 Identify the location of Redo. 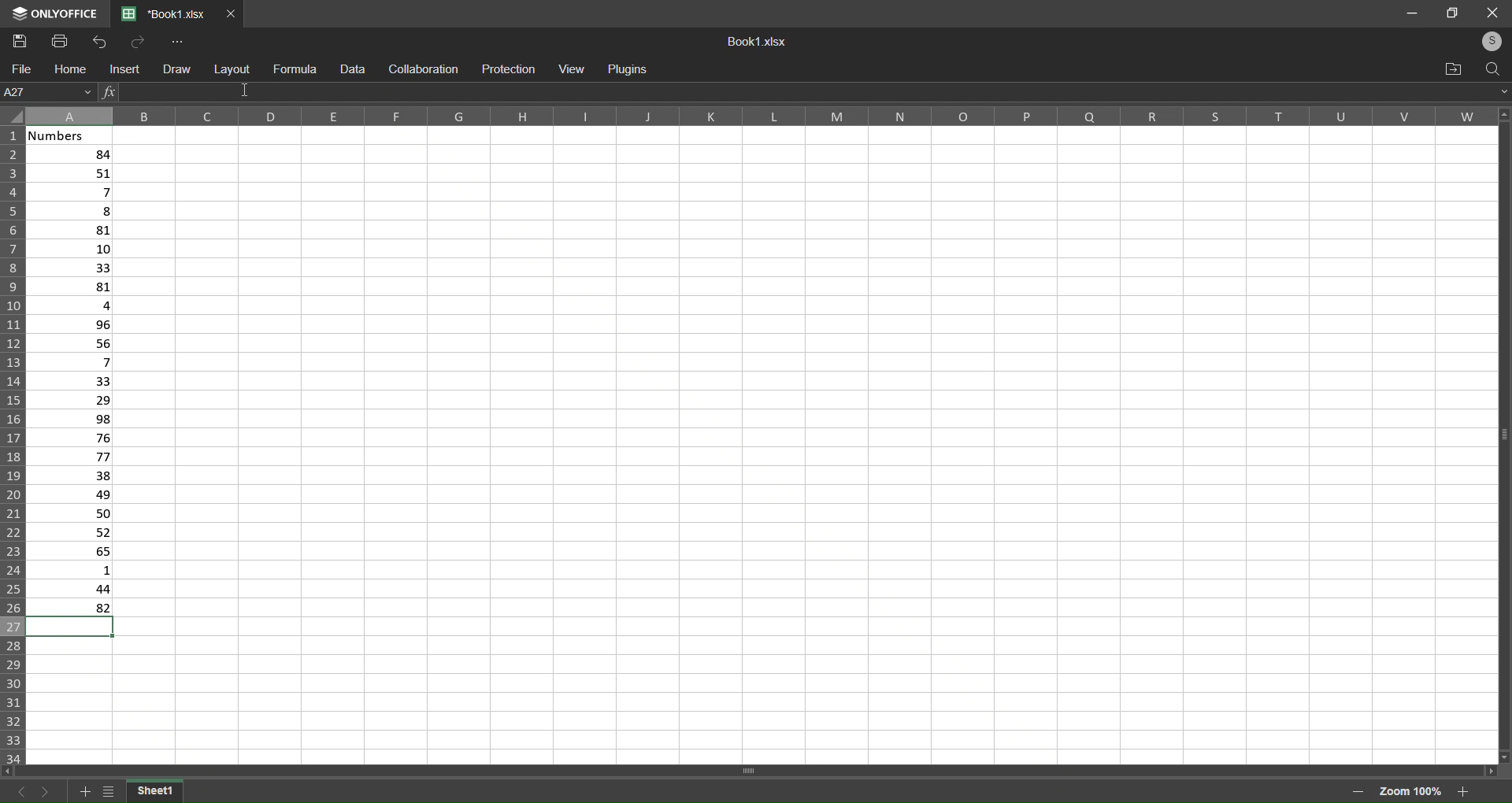
(139, 42).